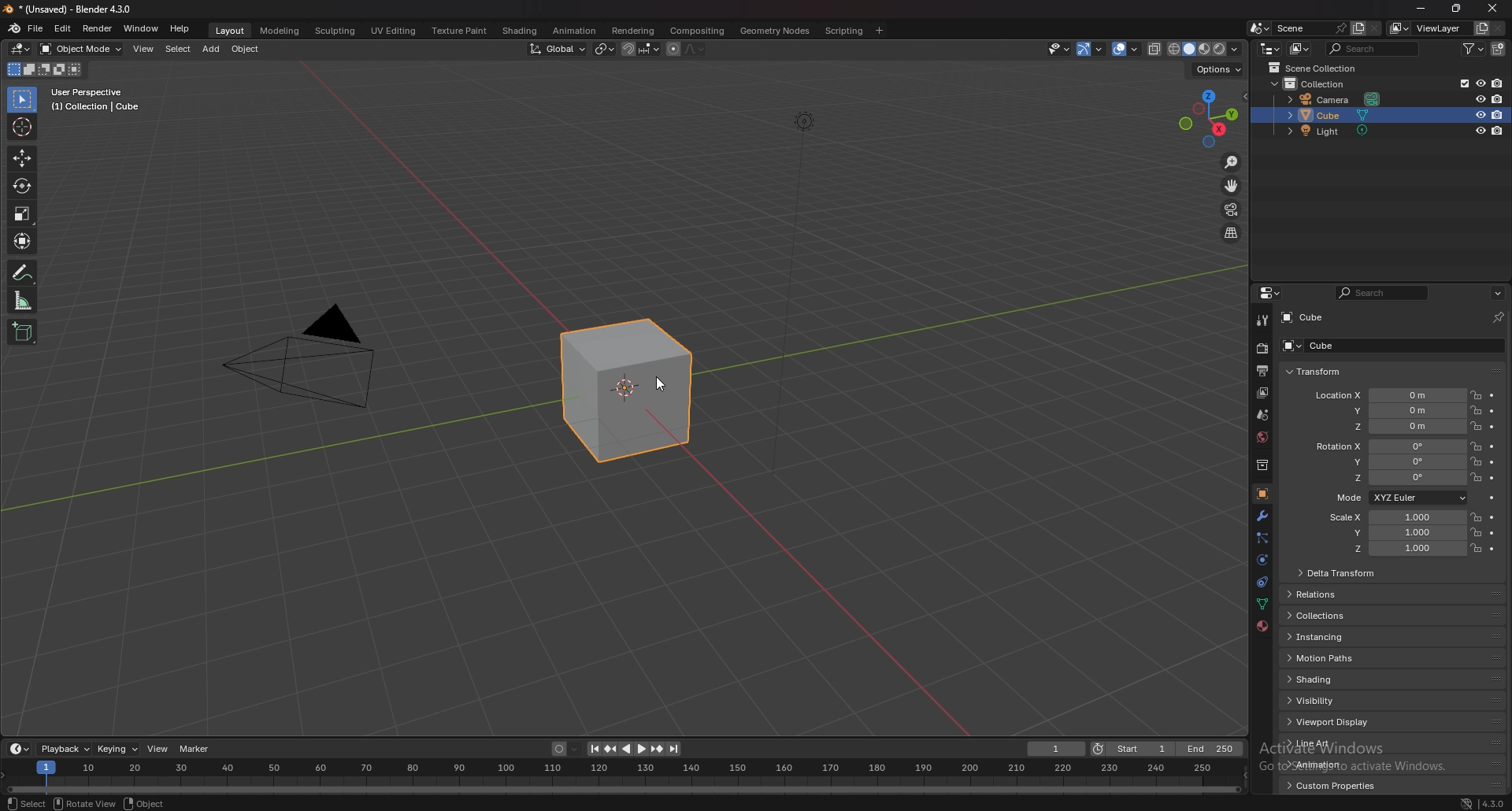  Describe the element at coordinates (44, 69) in the screenshot. I see `mode` at that location.